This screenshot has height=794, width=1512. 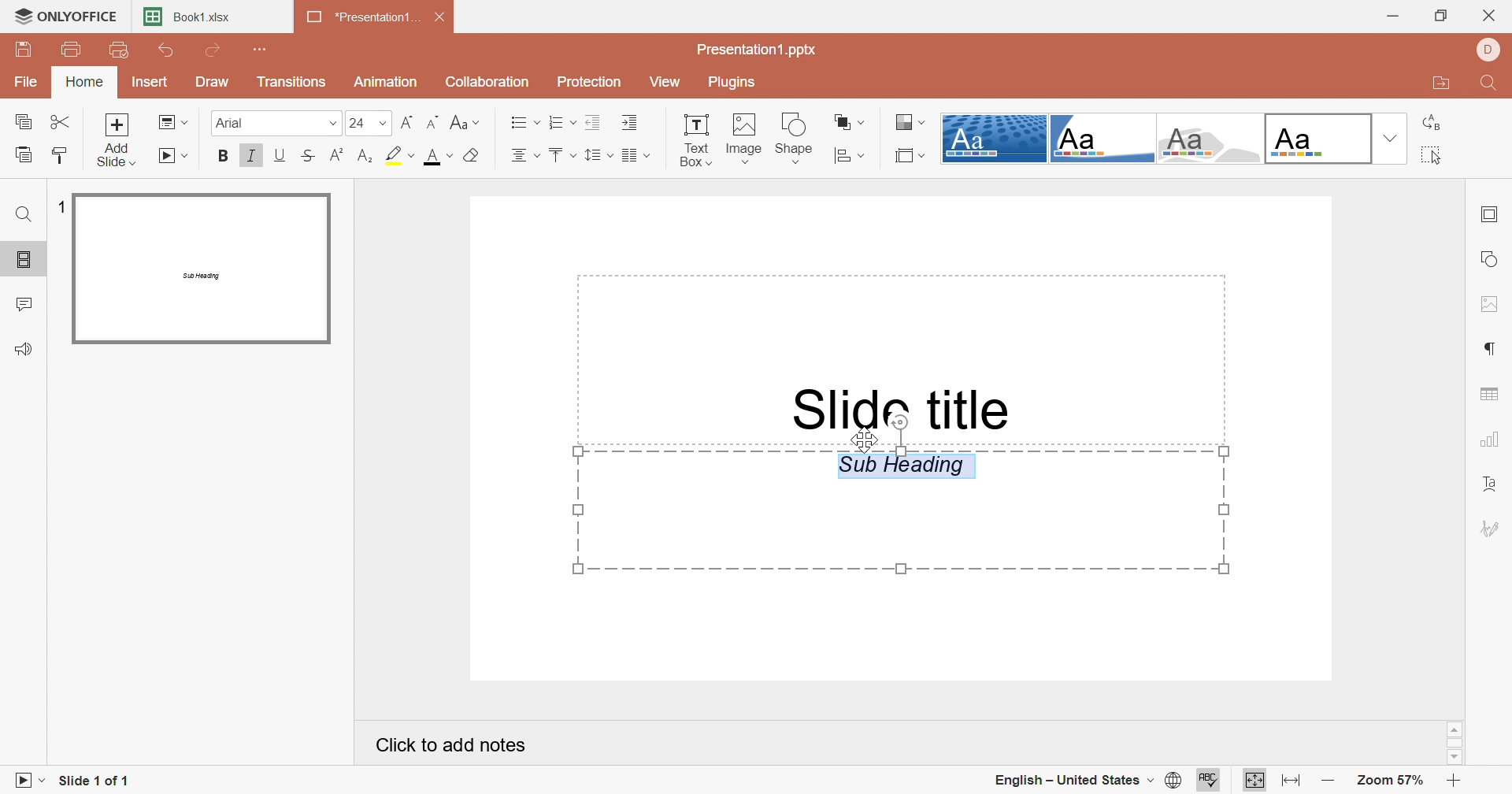 What do you see at coordinates (188, 16) in the screenshot?
I see `Book1.xlsx` at bounding box center [188, 16].